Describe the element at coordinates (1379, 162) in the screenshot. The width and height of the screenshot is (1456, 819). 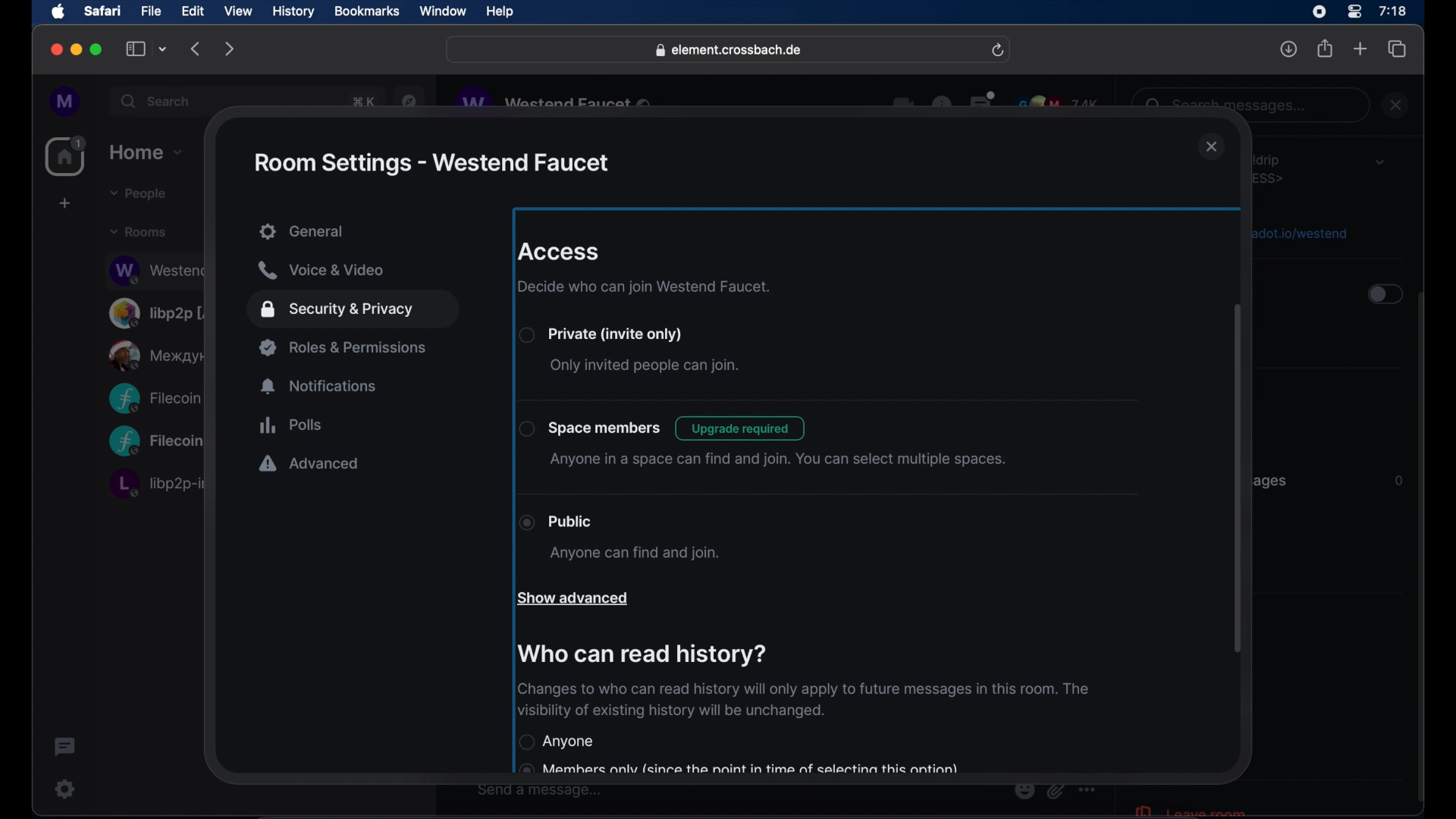
I see `dropdown` at that location.